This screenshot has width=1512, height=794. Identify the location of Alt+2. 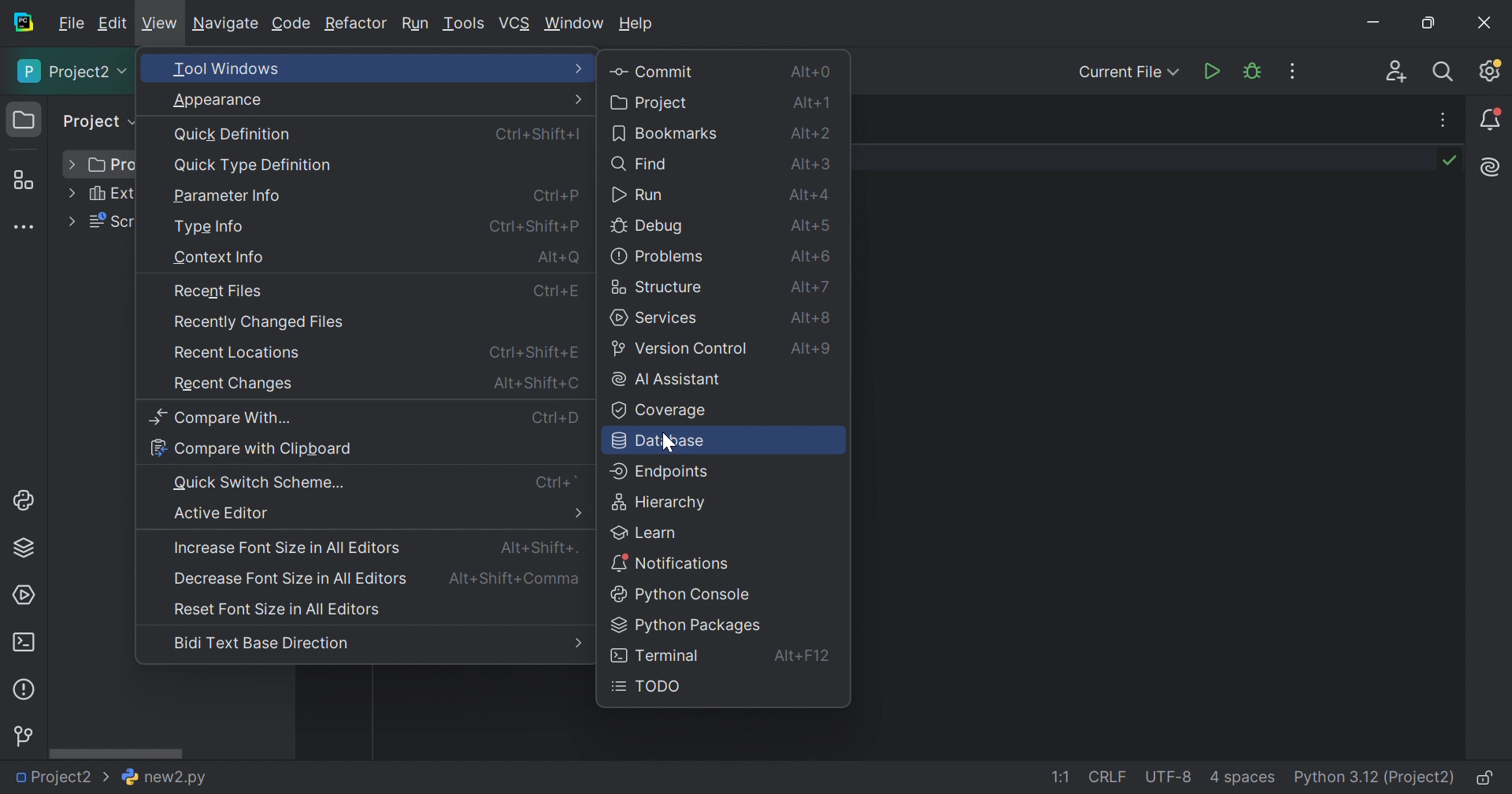
(812, 134).